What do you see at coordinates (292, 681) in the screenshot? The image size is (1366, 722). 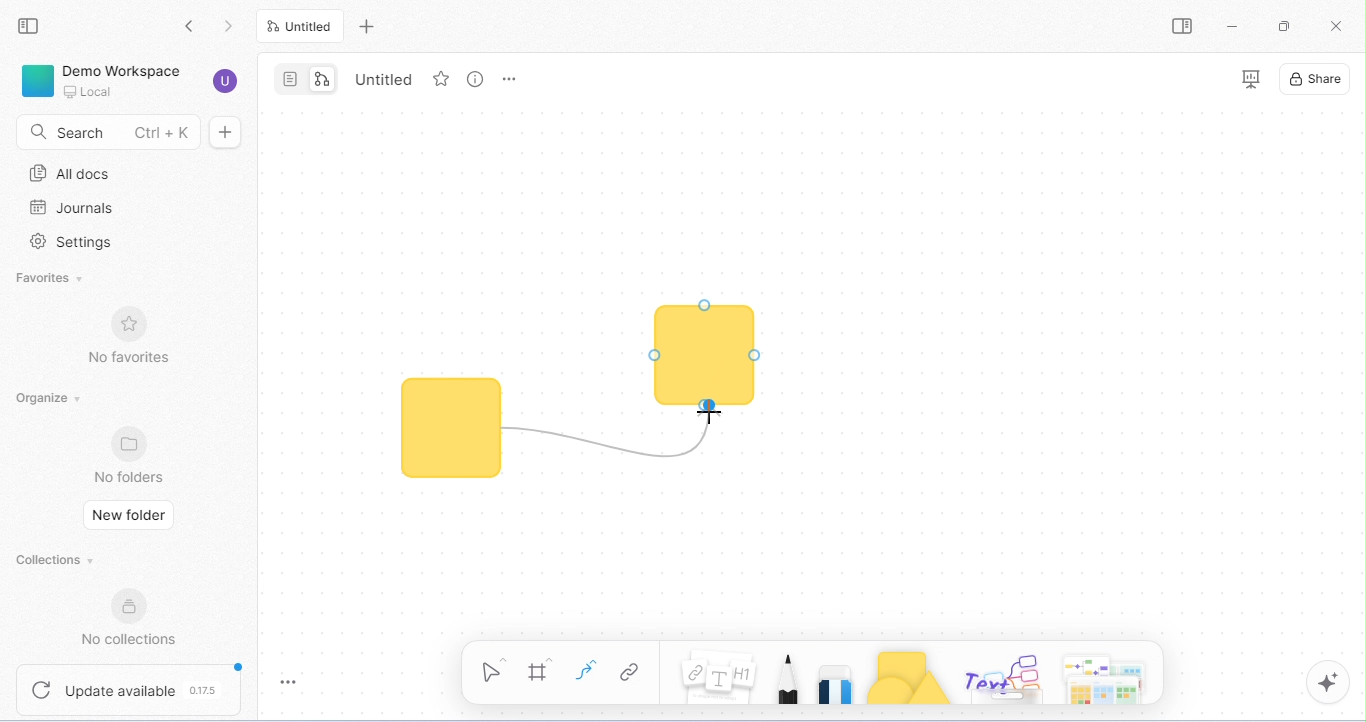 I see `toggle zoom` at bounding box center [292, 681].